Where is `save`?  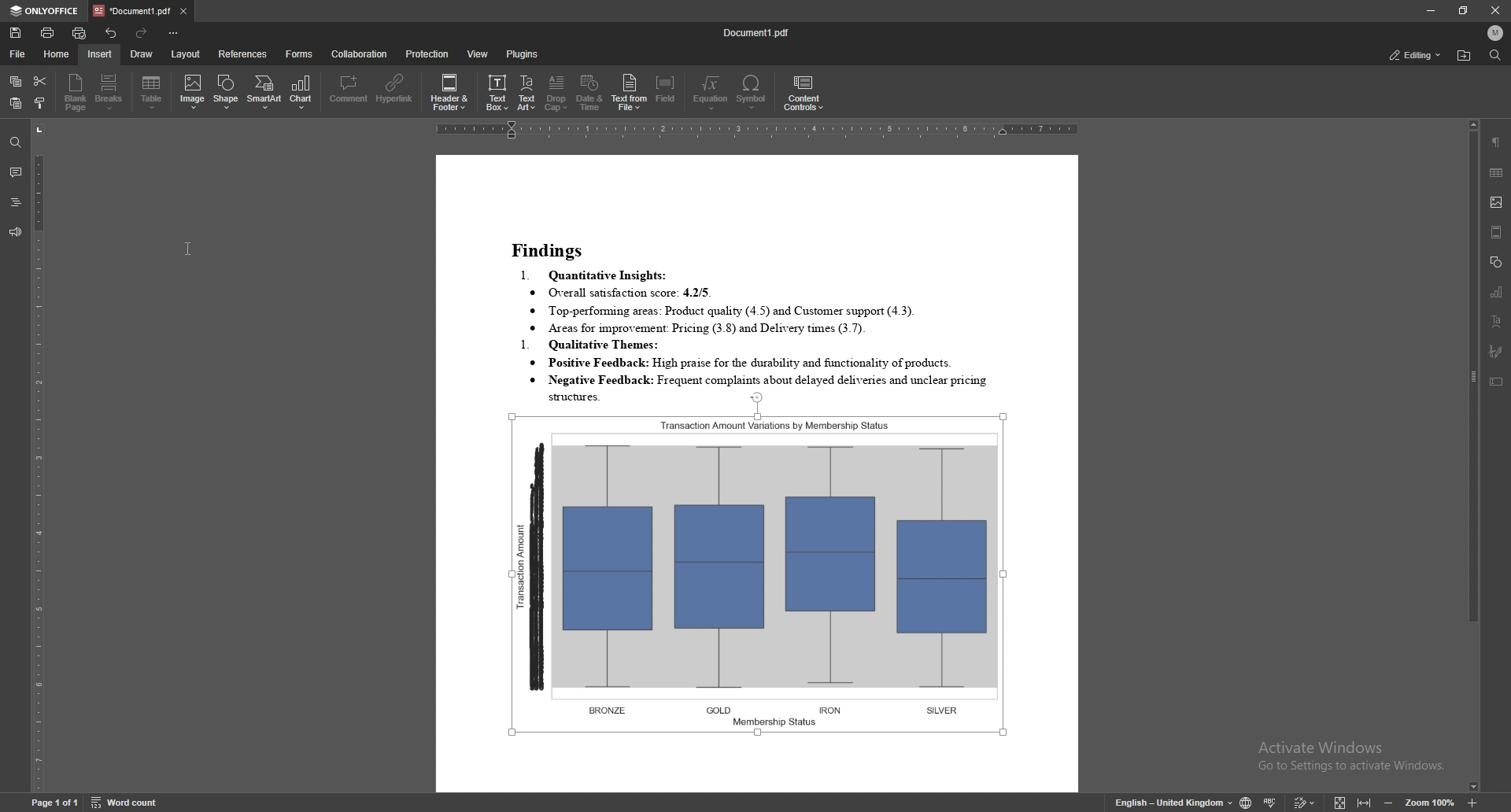 save is located at coordinates (17, 33).